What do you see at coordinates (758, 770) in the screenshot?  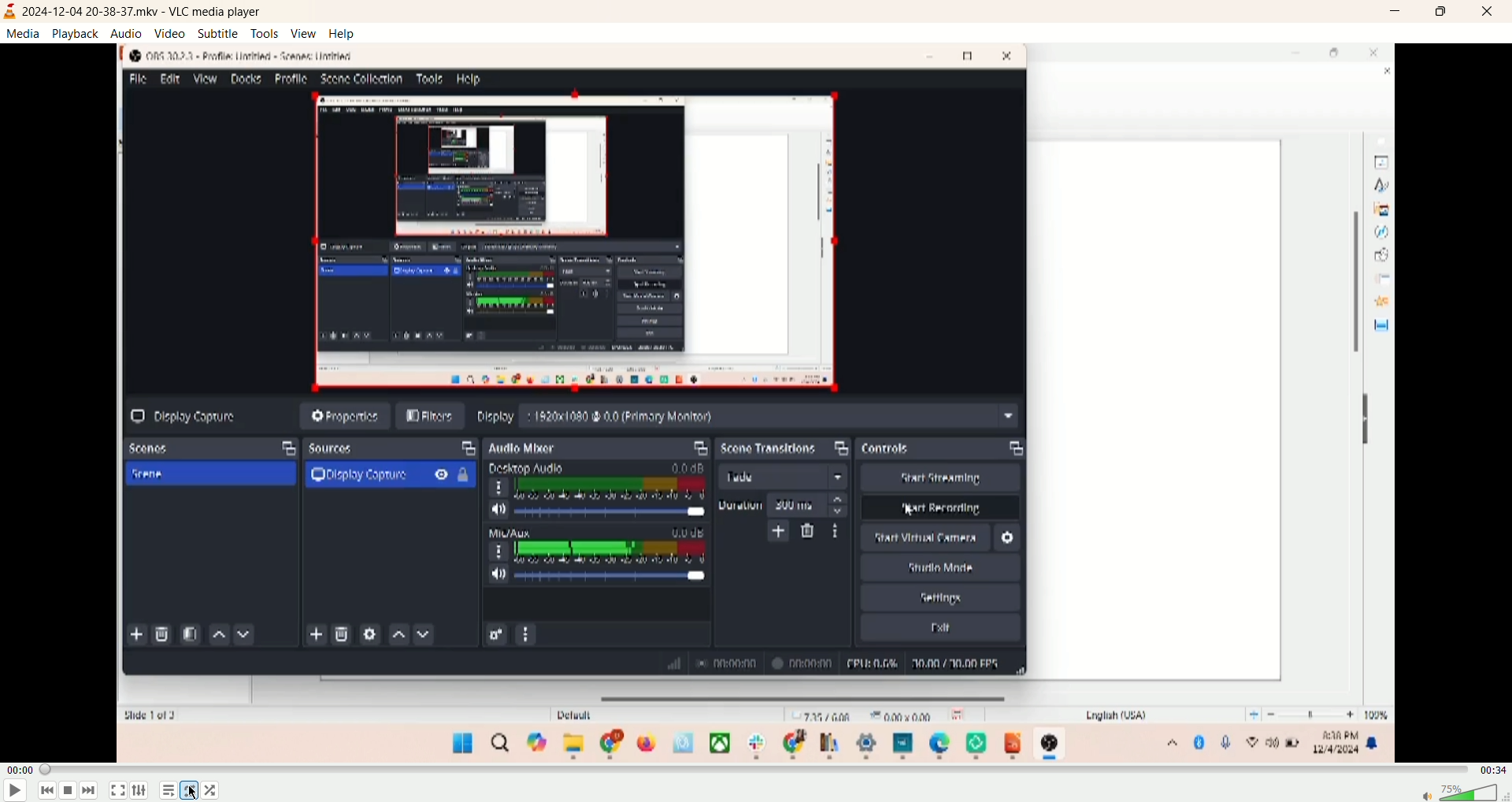 I see `progress bar` at bounding box center [758, 770].